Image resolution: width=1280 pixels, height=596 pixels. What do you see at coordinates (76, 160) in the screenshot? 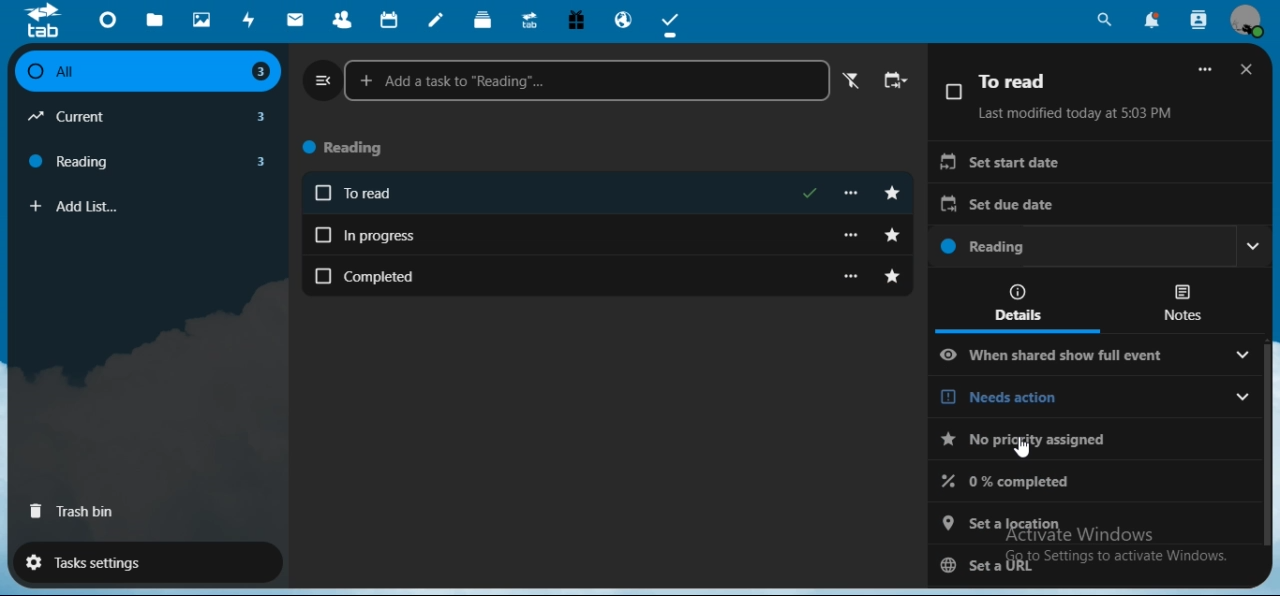
I see `reading` at bounding box center [76, 160].